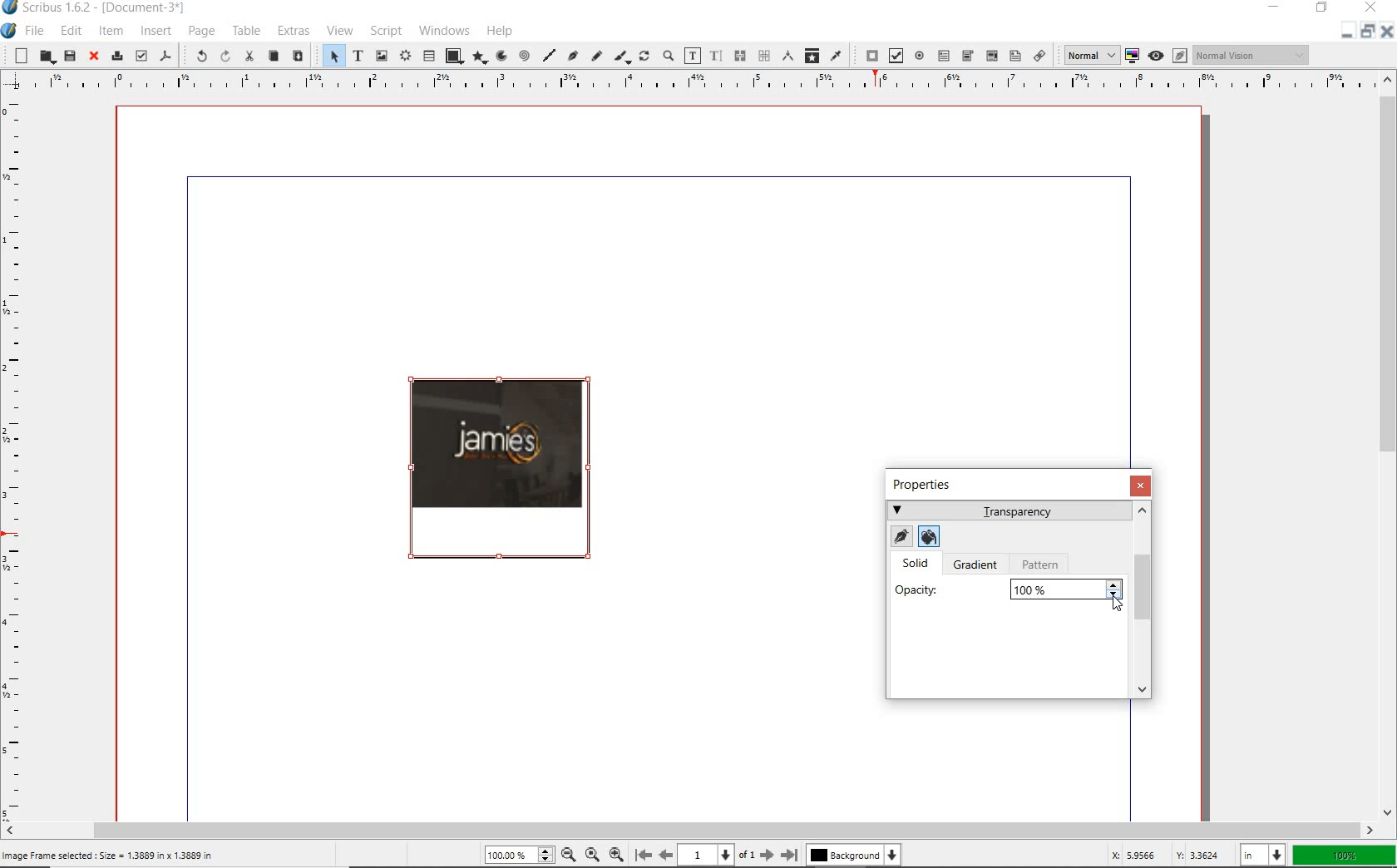 Image resolution: width=1397 pixels, height=868 pixels. I want to click on PROPERTIES, so click(928, 485).